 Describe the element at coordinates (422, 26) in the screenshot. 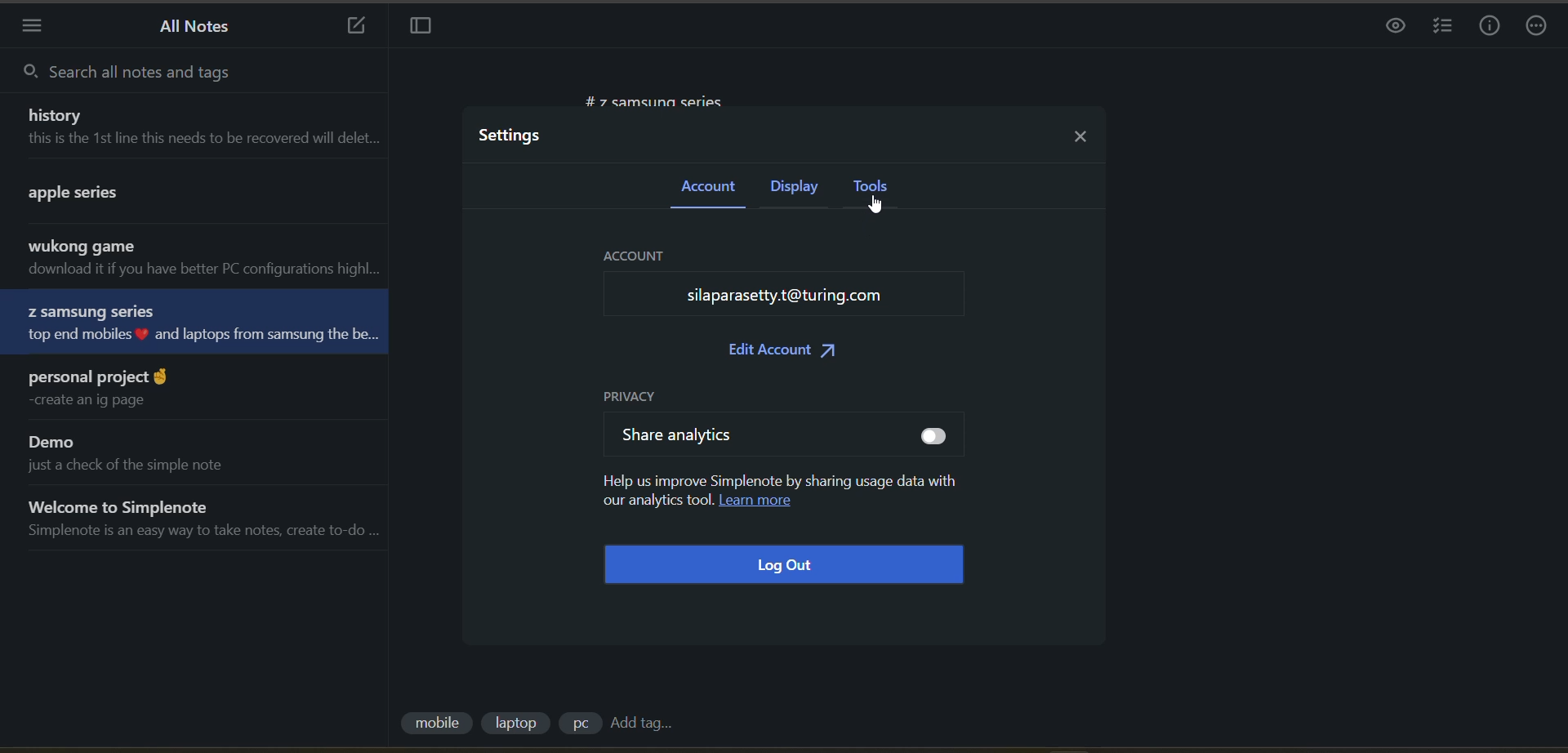

I see `toggle focus mode` at that location.